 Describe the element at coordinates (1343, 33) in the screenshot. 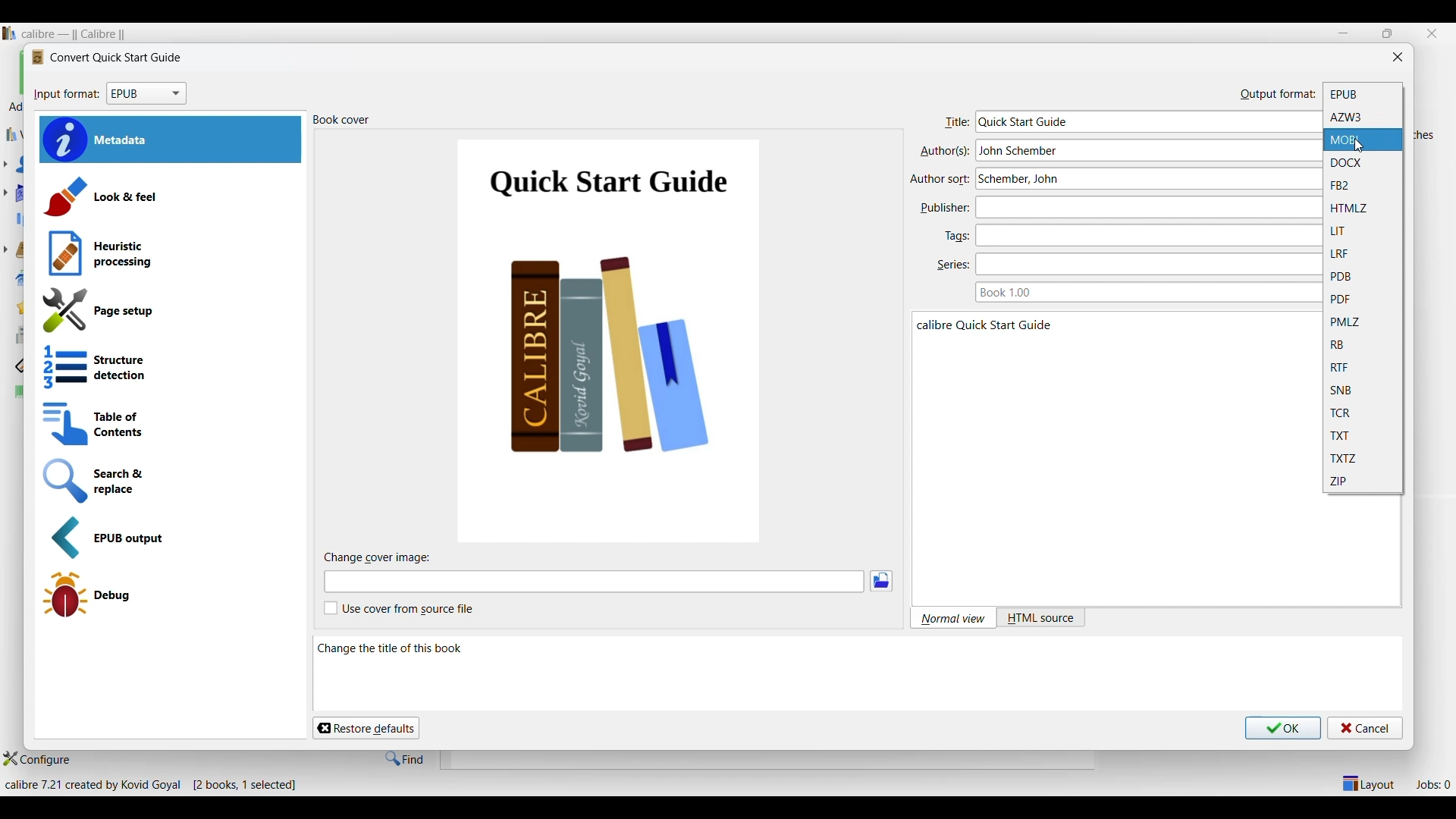

I see `Minimize` at that location.